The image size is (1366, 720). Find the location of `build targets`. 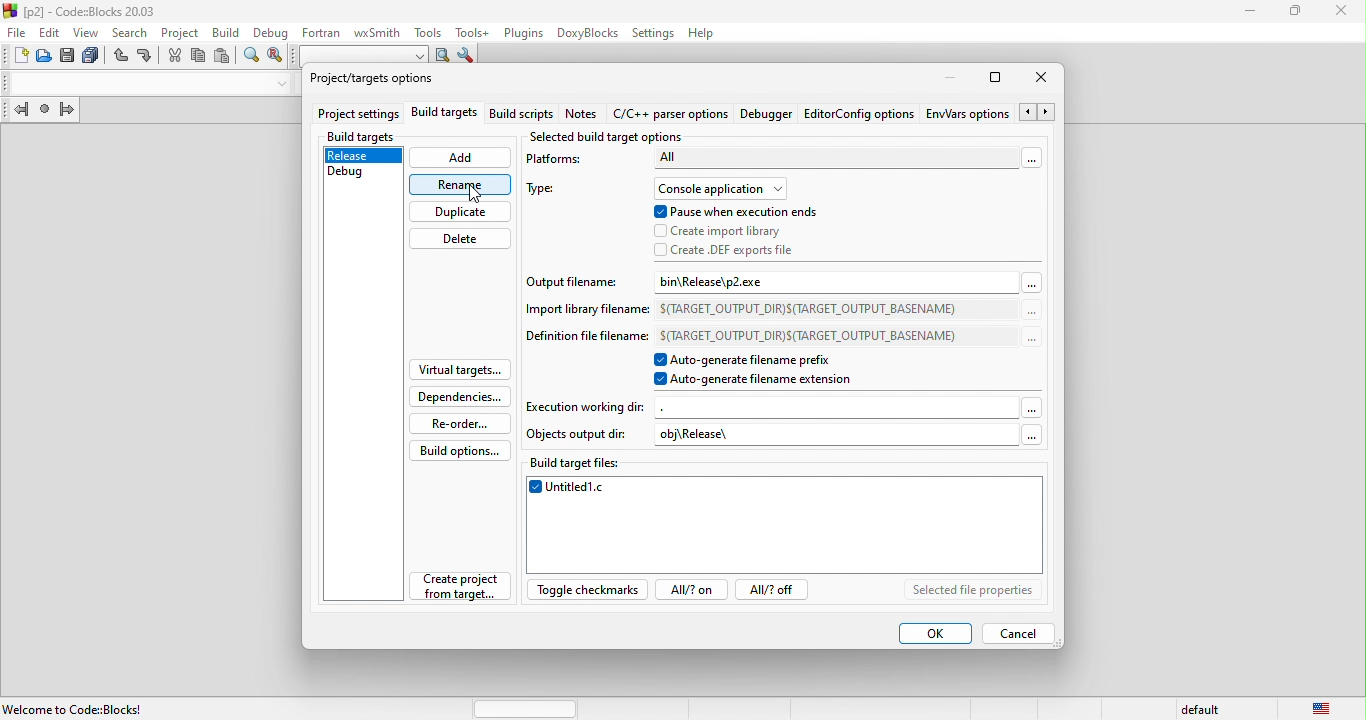

build targets is located at coordinates (363, 136).